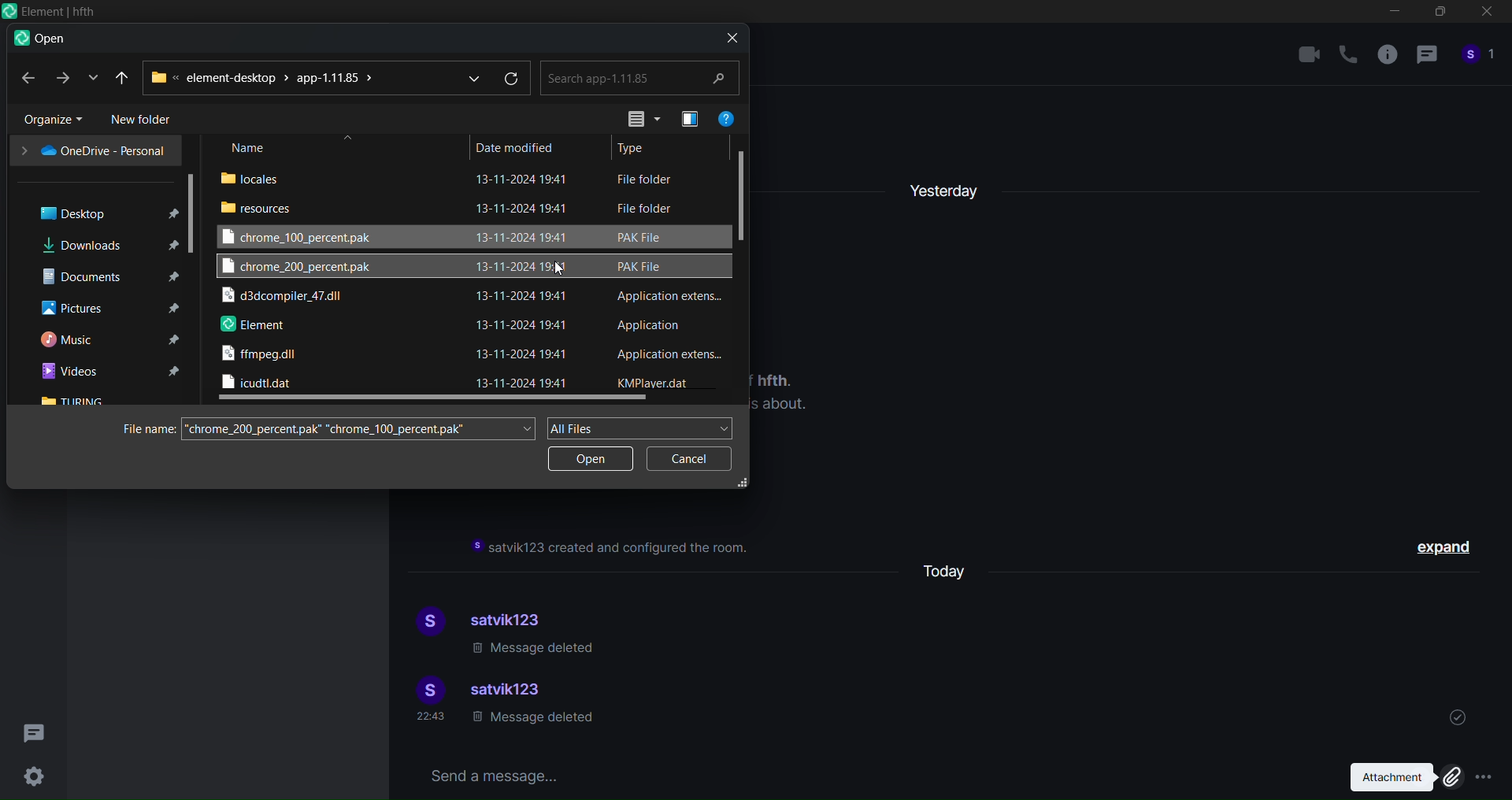  I want to click on today, so click(952, 569).